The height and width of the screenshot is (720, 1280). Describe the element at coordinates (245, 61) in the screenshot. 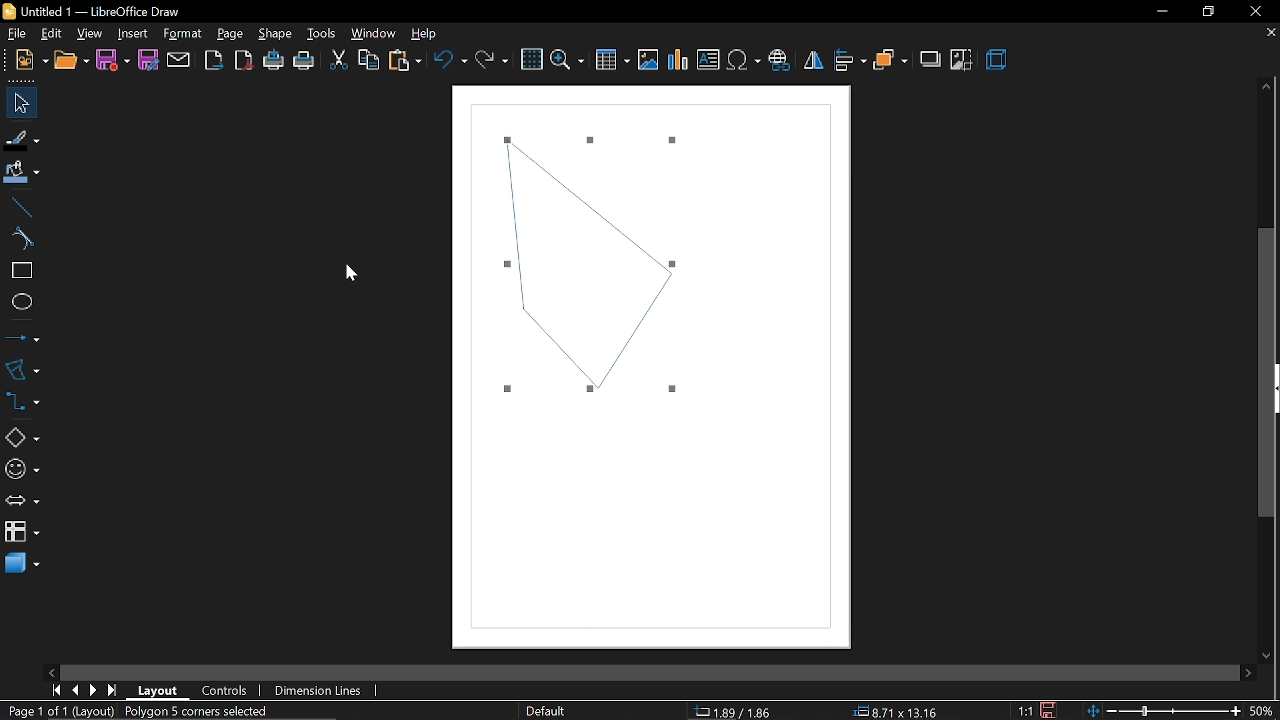

I see `export as pdf` at that location.